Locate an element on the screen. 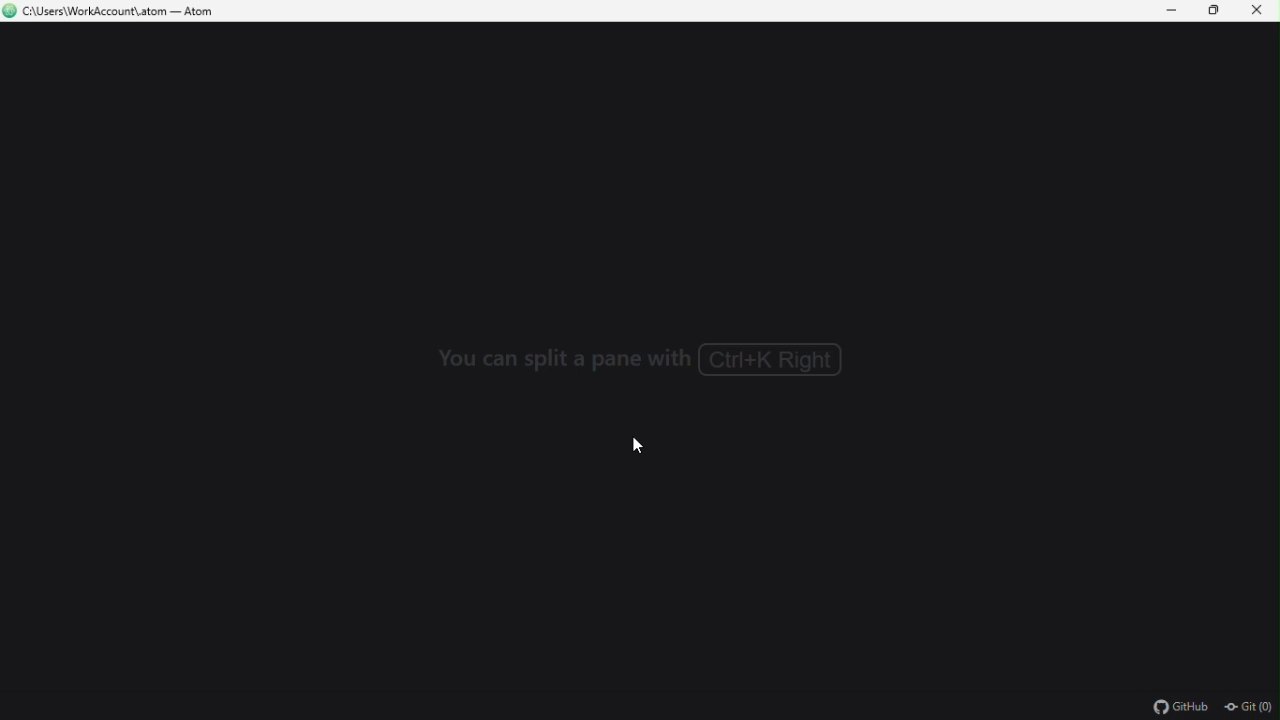  restore is located at coordinates (1216, 12).